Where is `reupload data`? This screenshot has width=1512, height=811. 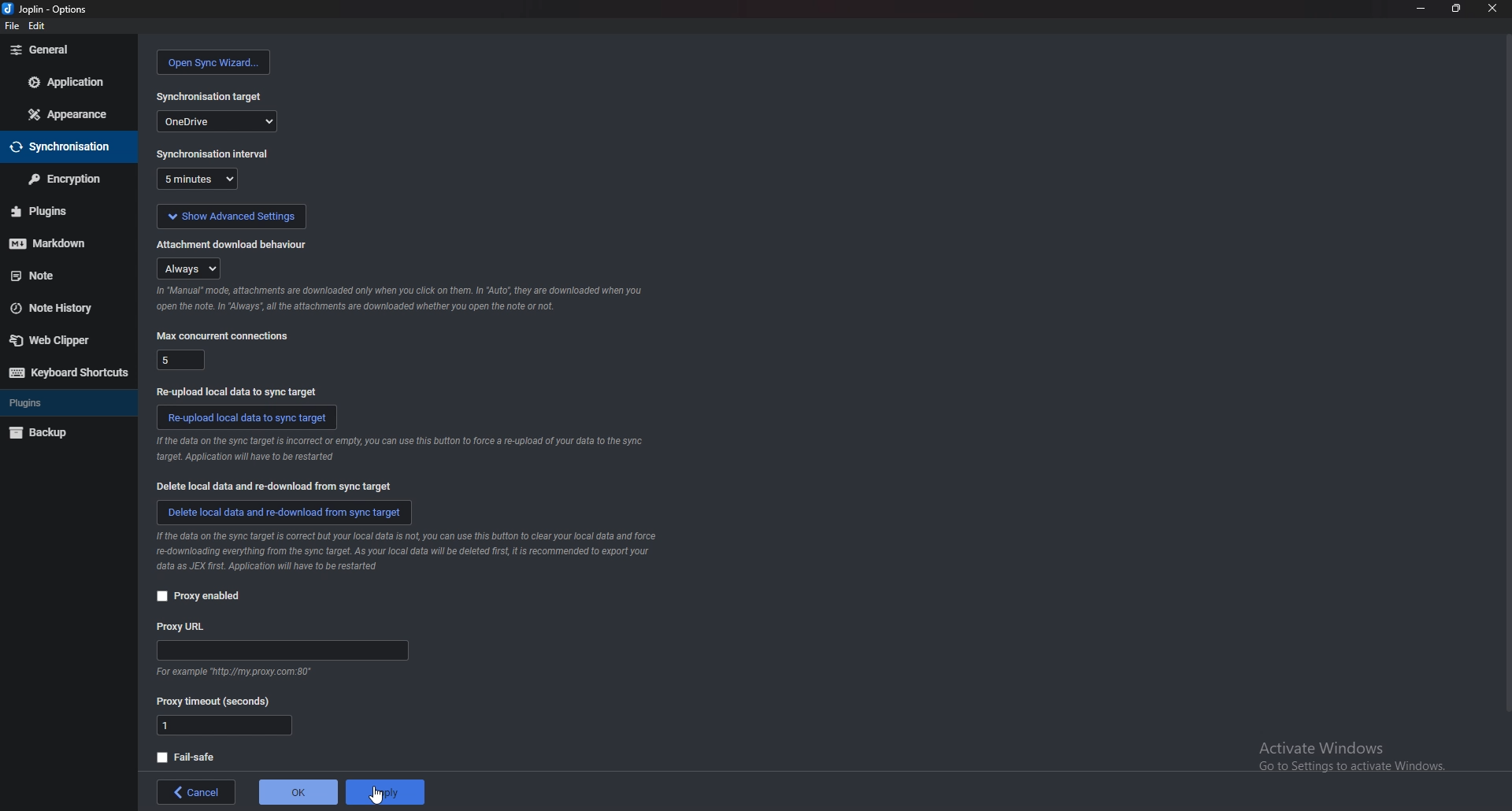
reupload data is located at coordinates (246, 417).